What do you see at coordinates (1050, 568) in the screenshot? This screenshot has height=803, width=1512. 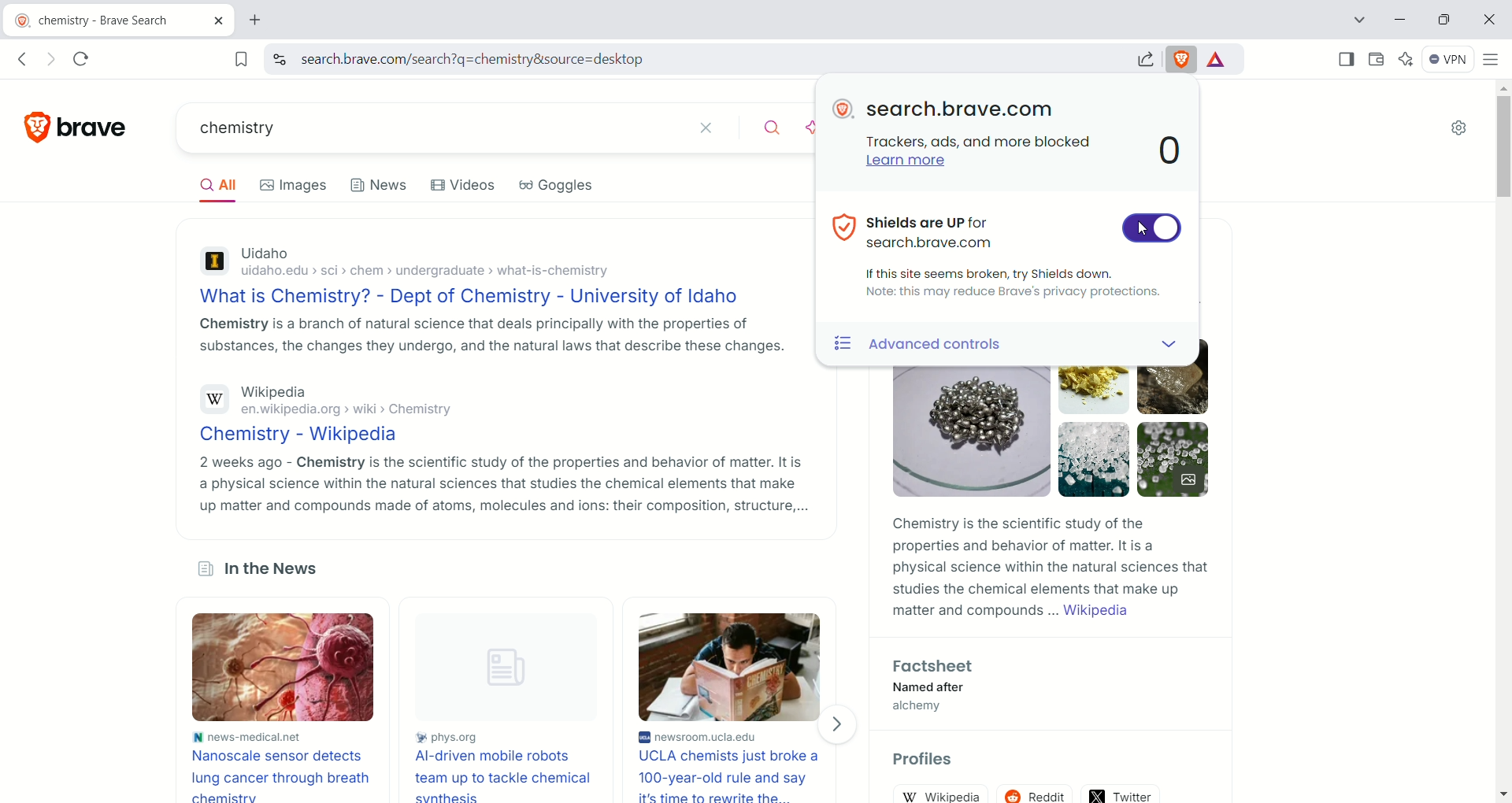 I see `Chemistry is the scientific study of the properties and behavior of matter. It is a physical science within the natural sciences that studies the chemical elements that make up matter and compounds … Wikipedia` at bounding box center [1050, 568].